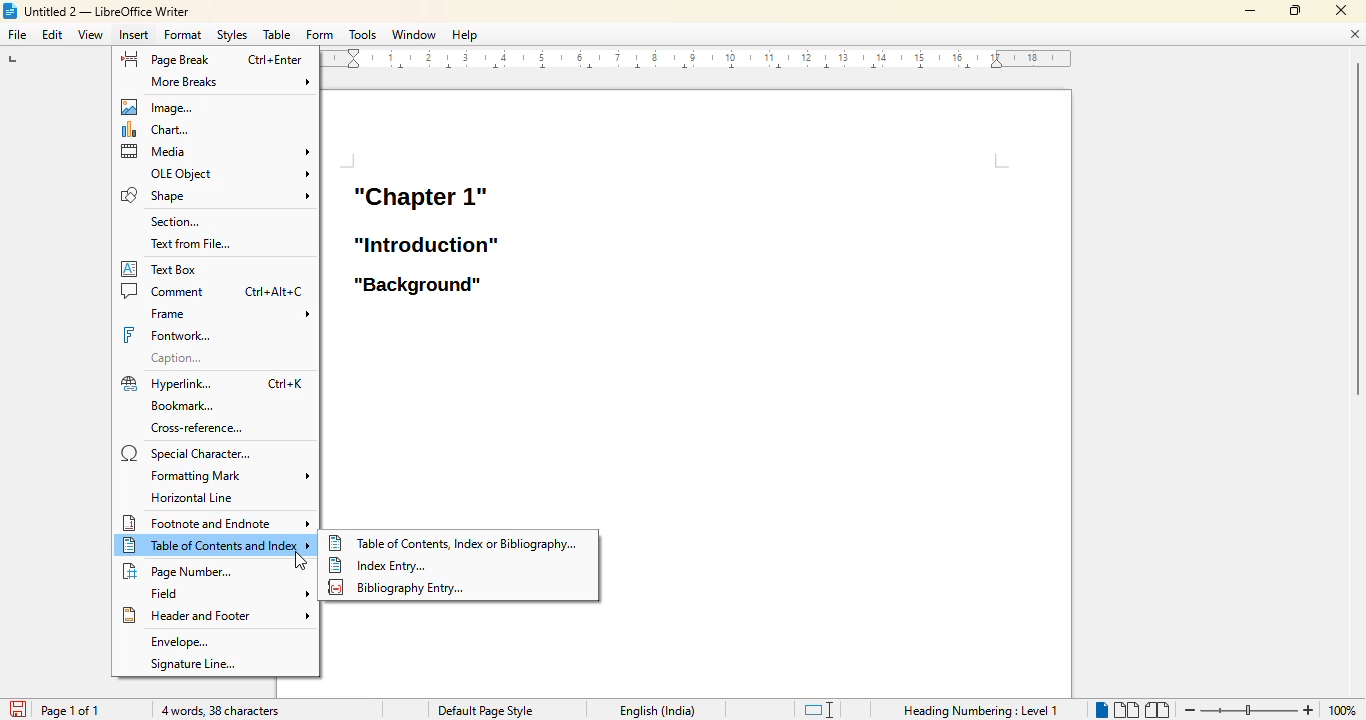  What do you see at coordinates (52, 34) in the screenshot?
I see `edit` at bounding box center [52, 34].